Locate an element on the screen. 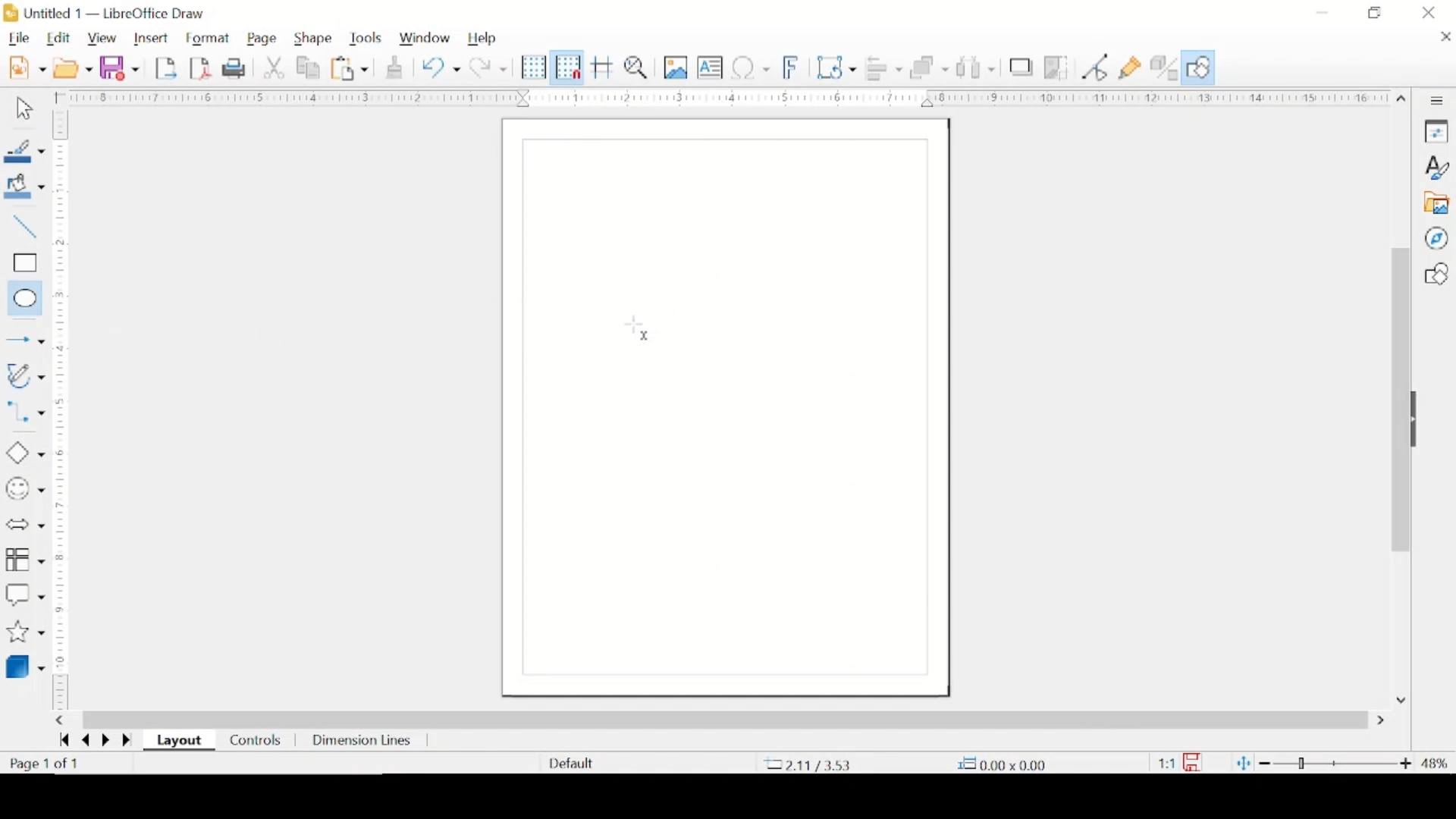 Image resolution: width=1456 pixels, height=819 pixels. insert image is located at coordinates (676, 68).